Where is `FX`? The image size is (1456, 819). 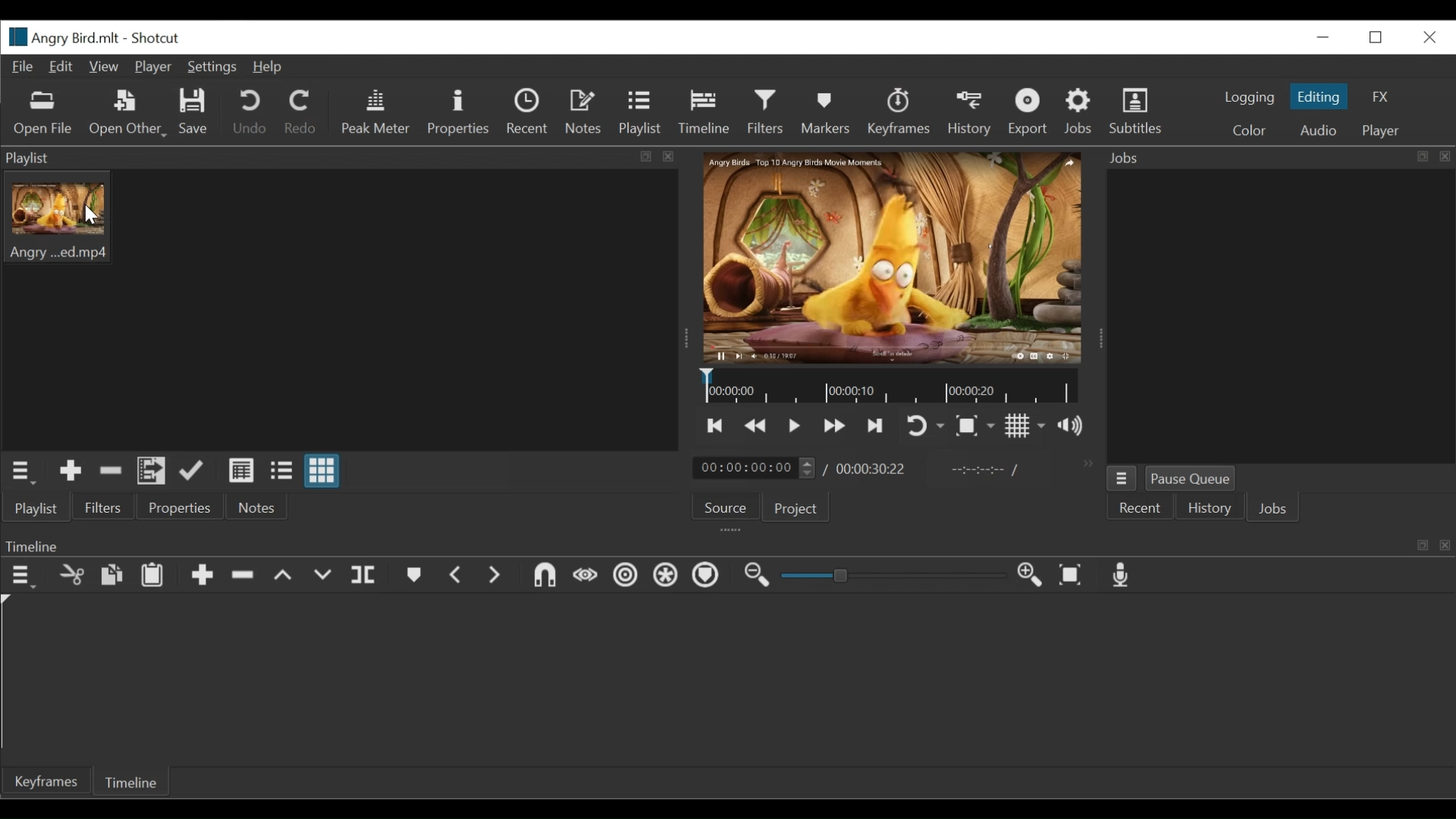 FX is located at coordinates (1378, 96).